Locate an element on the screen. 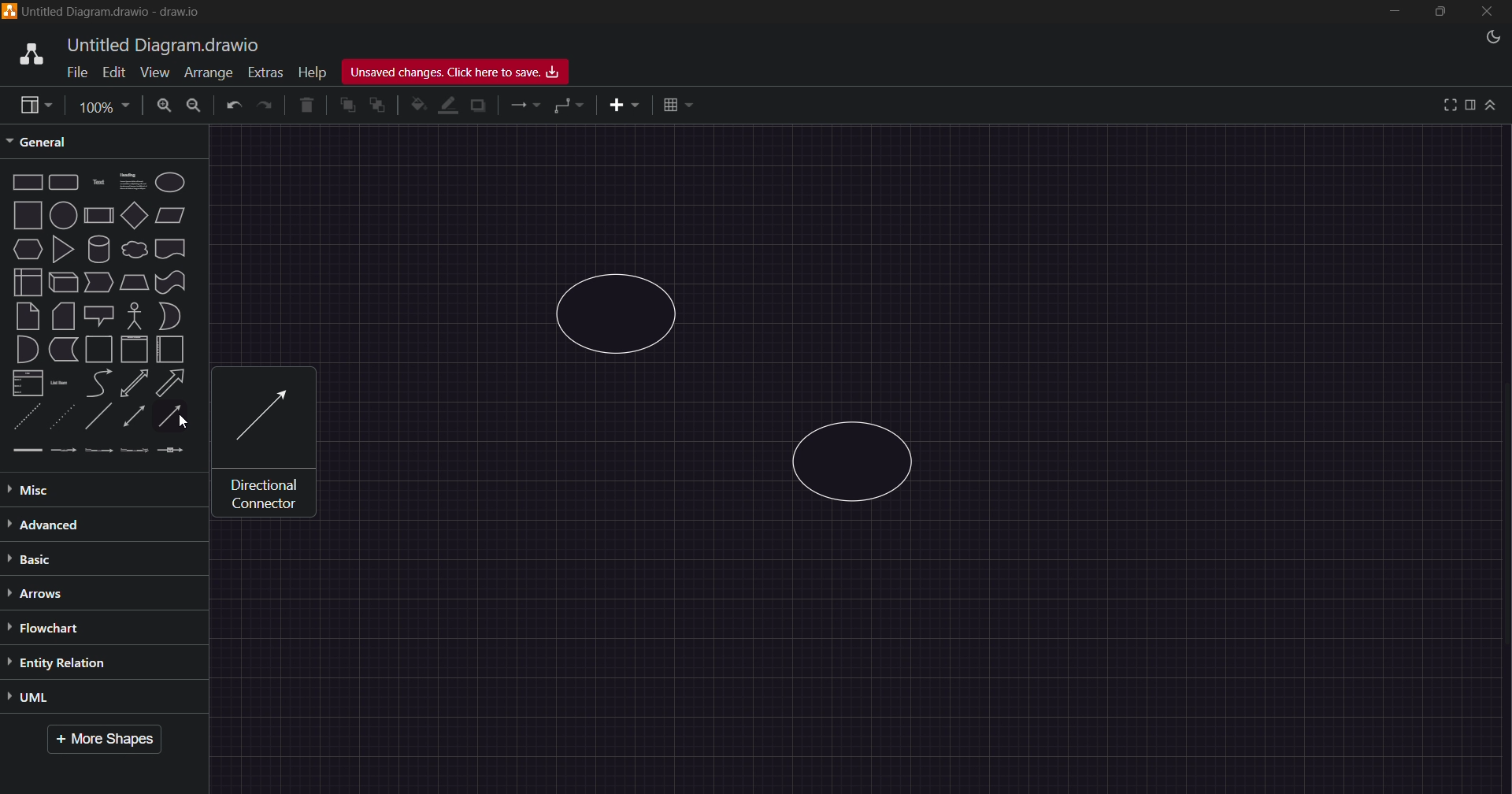  collapse/expand is located at coordinates (1492, 106).